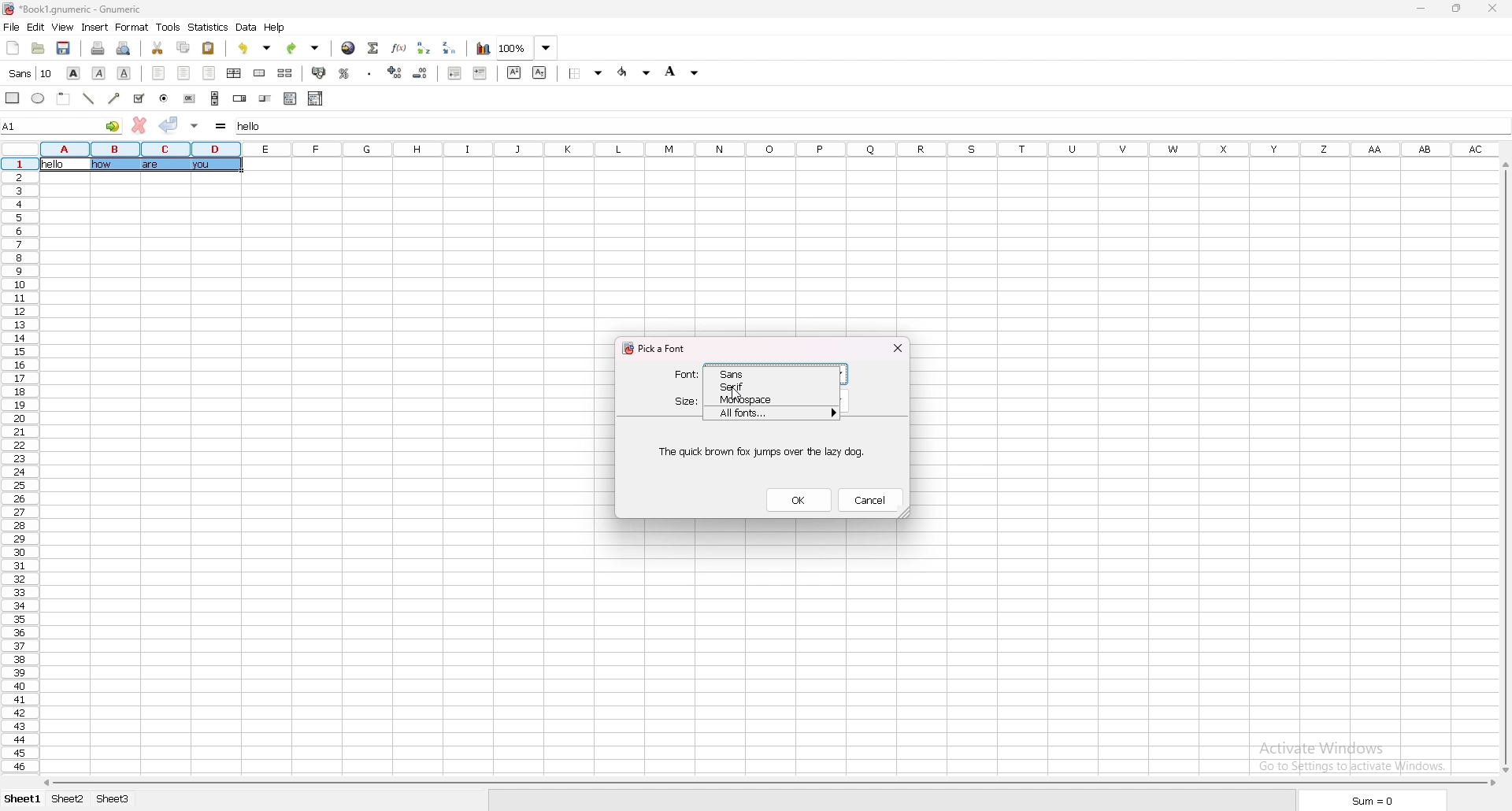 The height and width of the screenshot is (811, 1512). What do you see at coordinates (209, 27) in the screenshot?
I see `statistics` at bounding box center [209, 27].